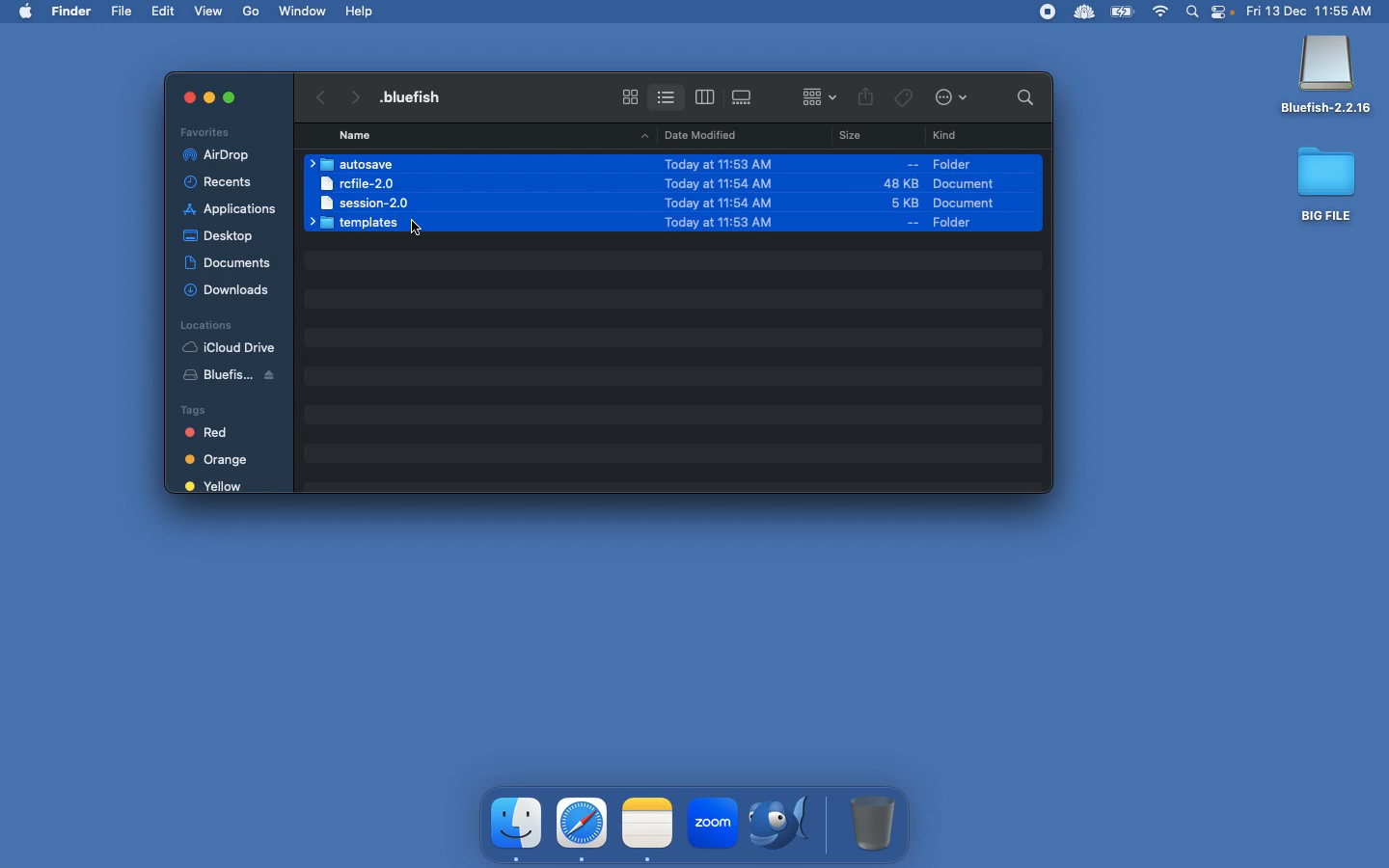  Describe the element at coordinates (1327, 183) in the screenshot. I see `Big file` at that location.